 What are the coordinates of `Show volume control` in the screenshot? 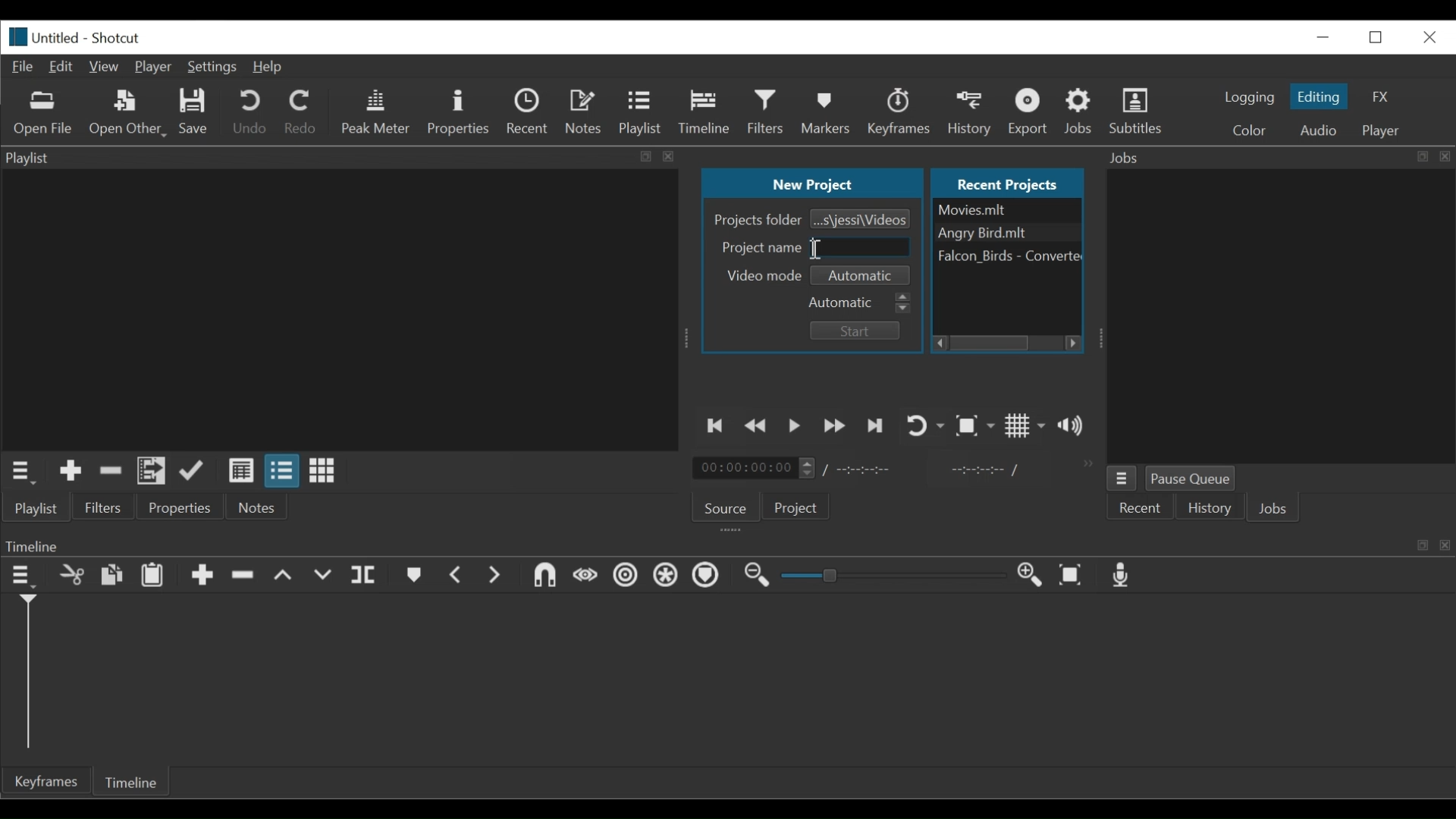 It's located at (1075, 428).